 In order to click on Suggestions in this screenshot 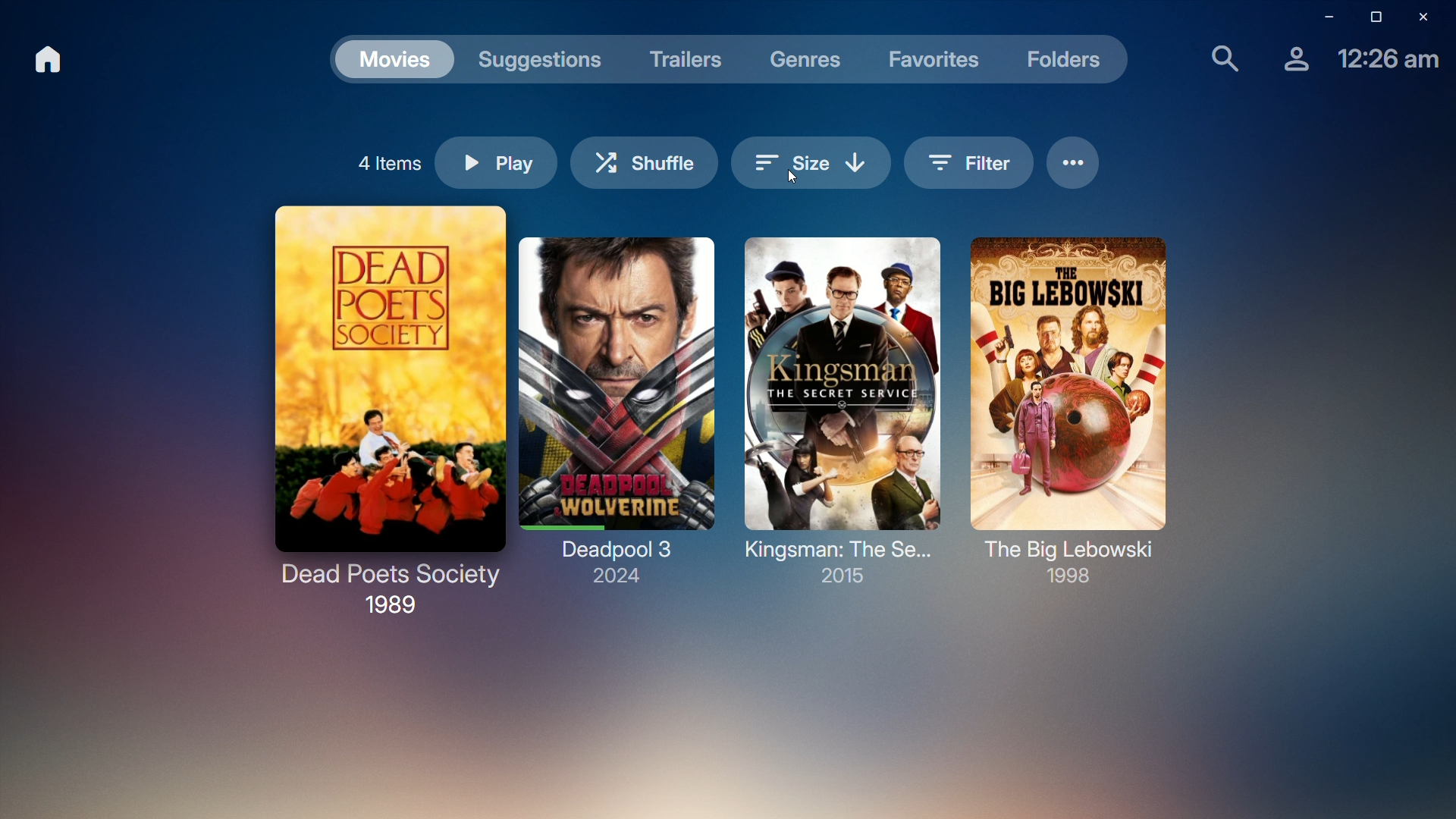, I will do `click(544, 57)`.